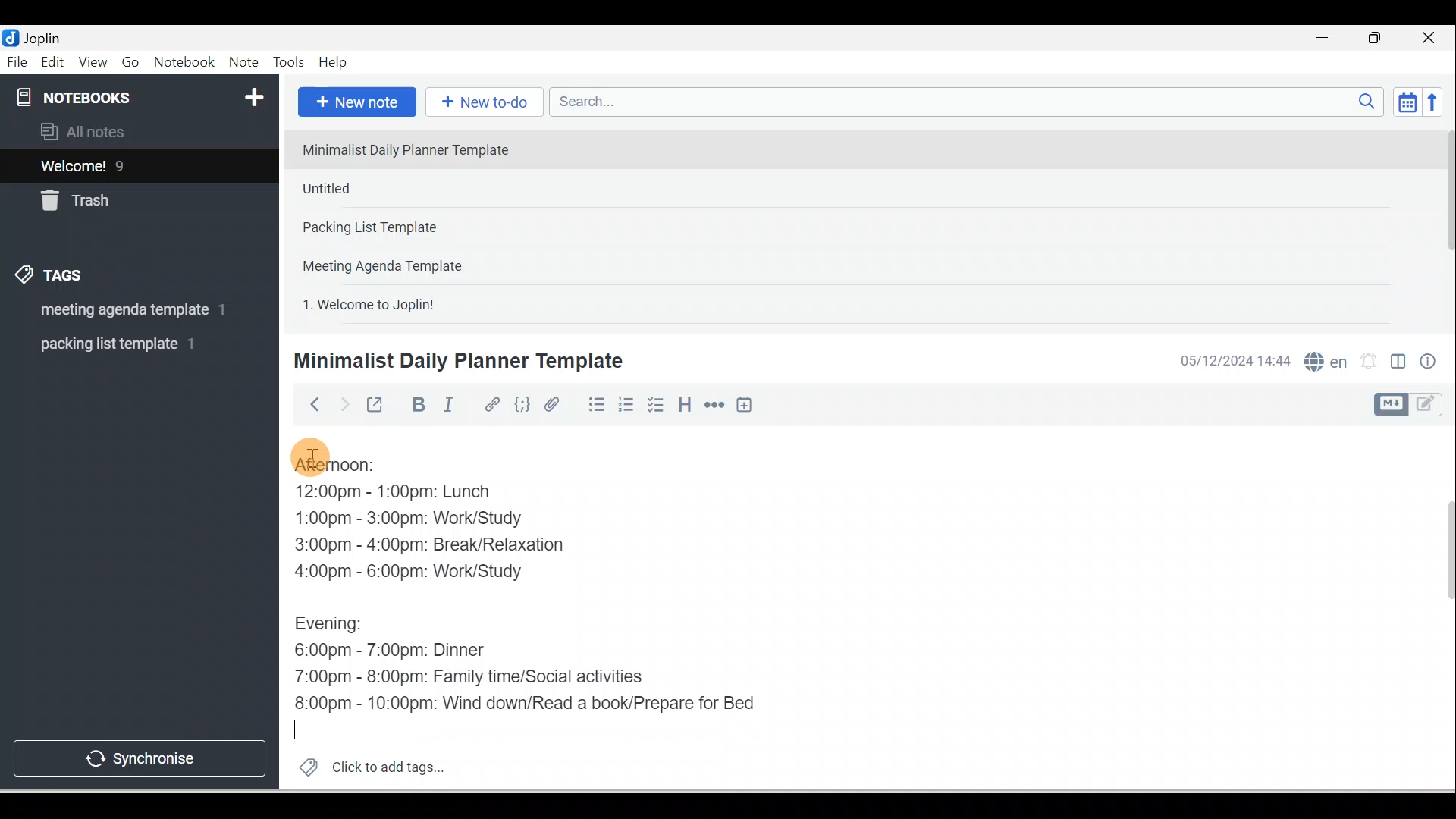 This screenshot has height=819, width=1456. I want to click on Notes, so click(128, 162).